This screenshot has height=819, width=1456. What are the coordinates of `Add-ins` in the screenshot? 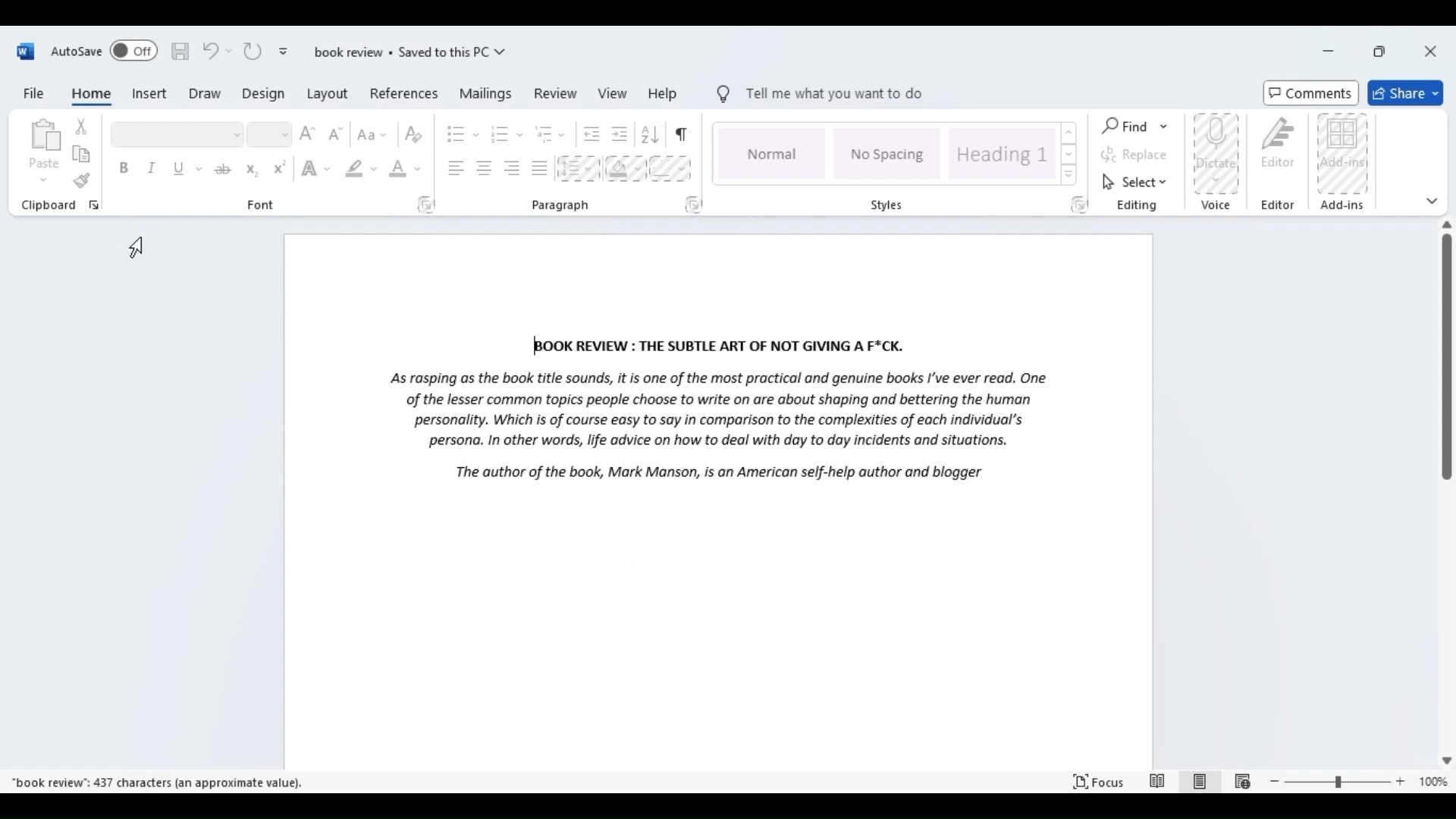 It's located at (1344, 163).